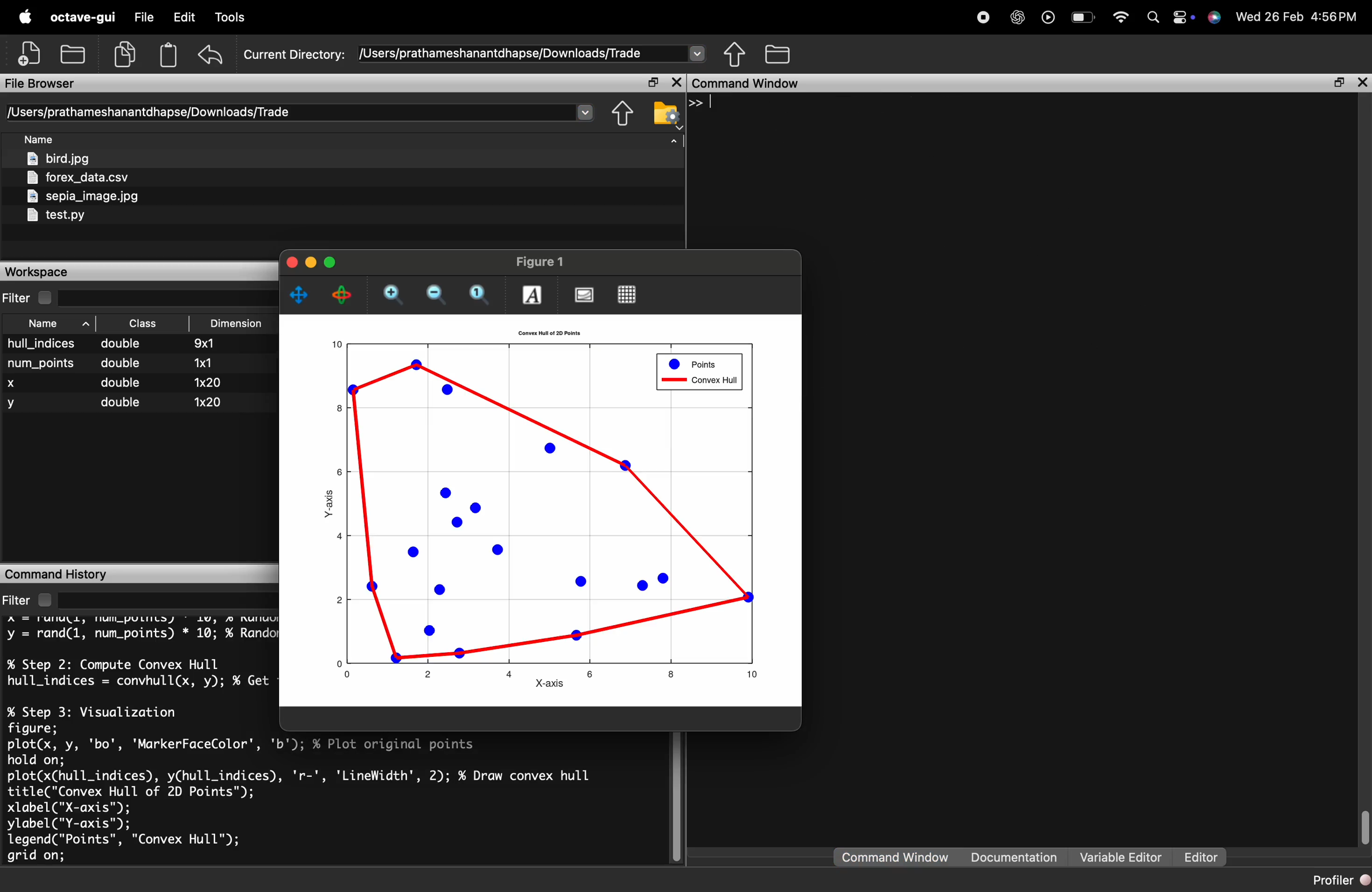 The width and height of the screenshot is (1372, 892). What do you see at coordinates (395, 294) in the screenshot?
I see `zoom in` at bounding box center [395, 294].